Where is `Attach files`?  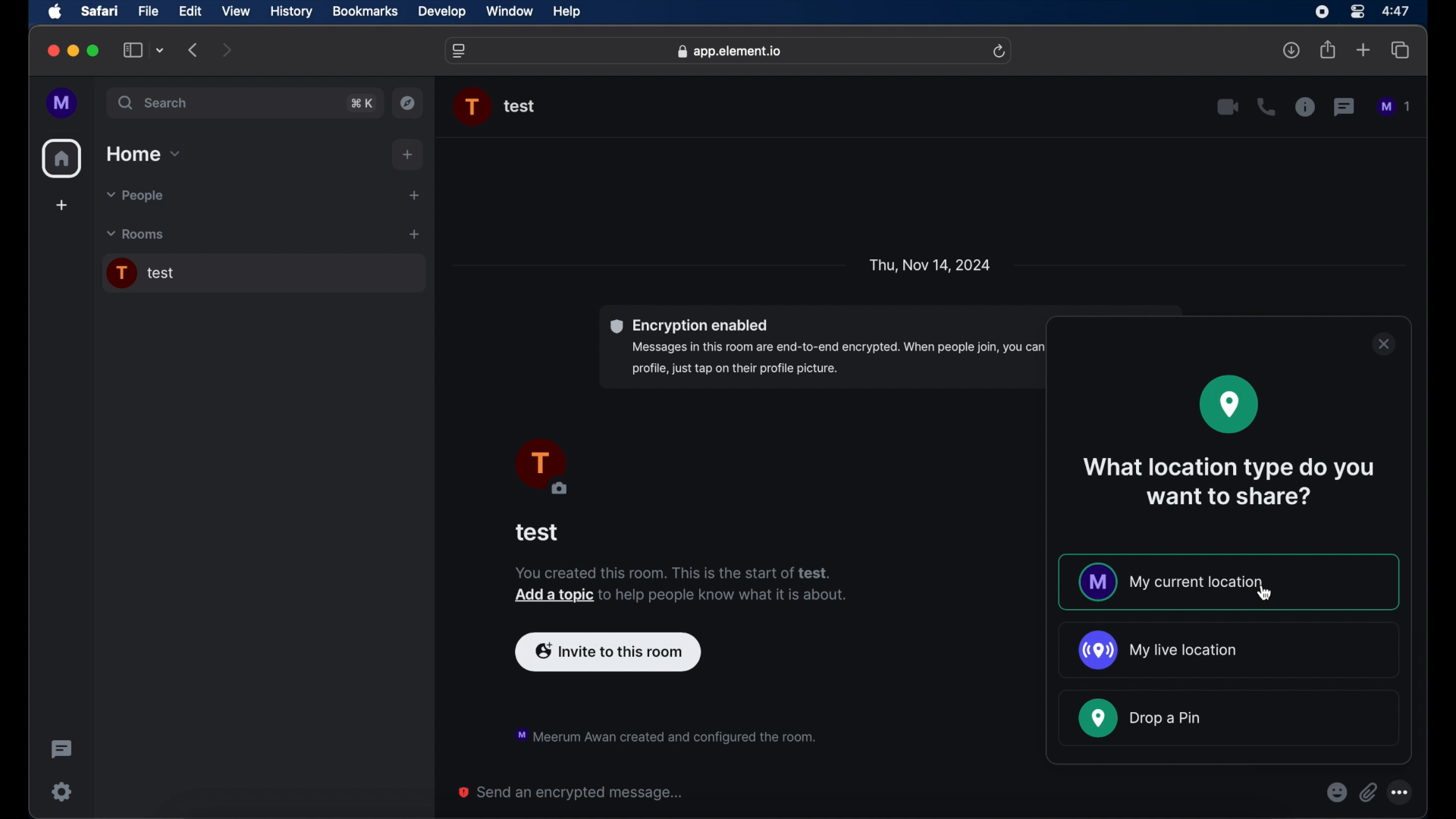
Attach files is located at coordinates (1371, 792).